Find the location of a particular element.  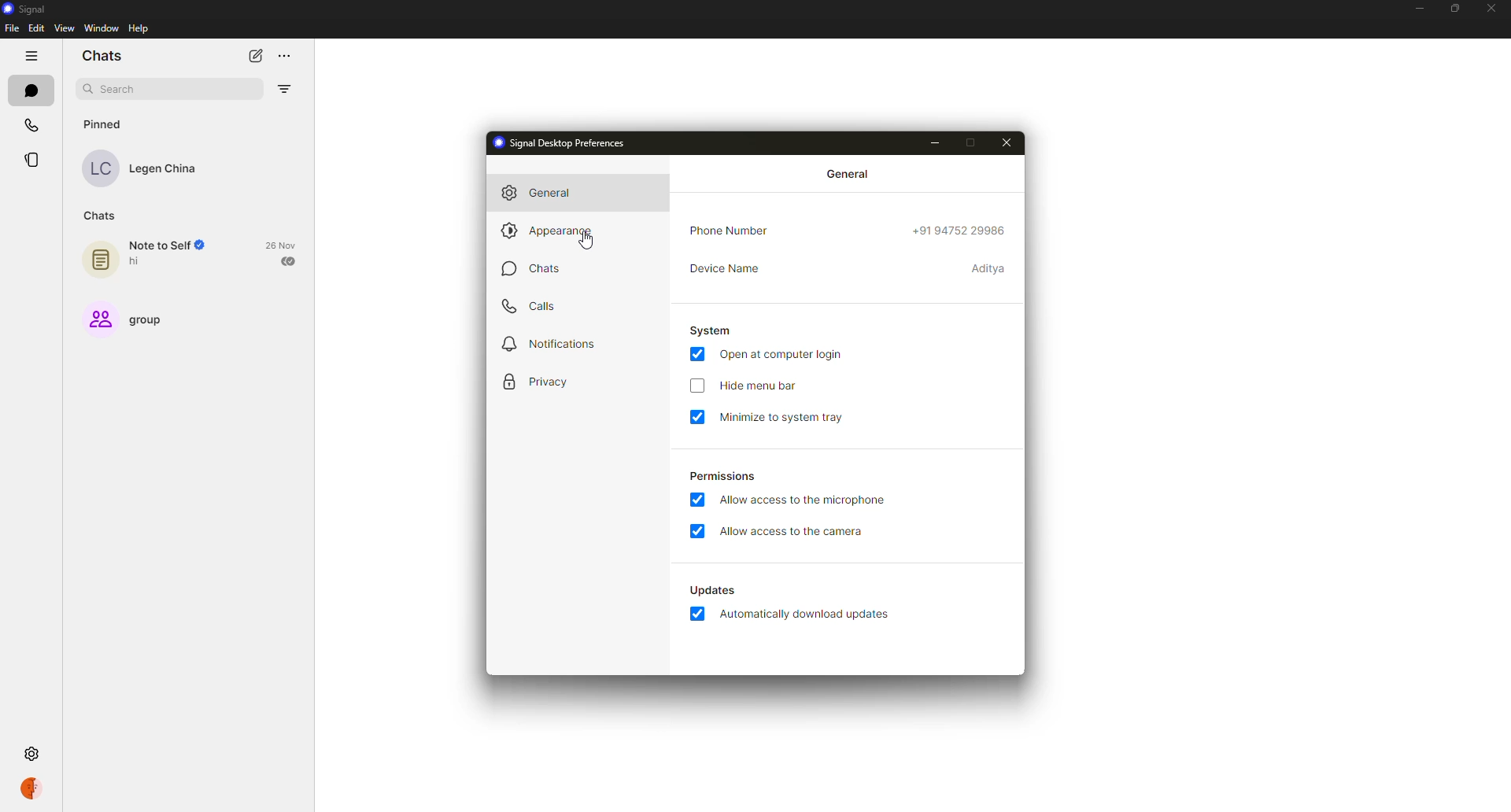

cursor is located at coordinates (592, 242).